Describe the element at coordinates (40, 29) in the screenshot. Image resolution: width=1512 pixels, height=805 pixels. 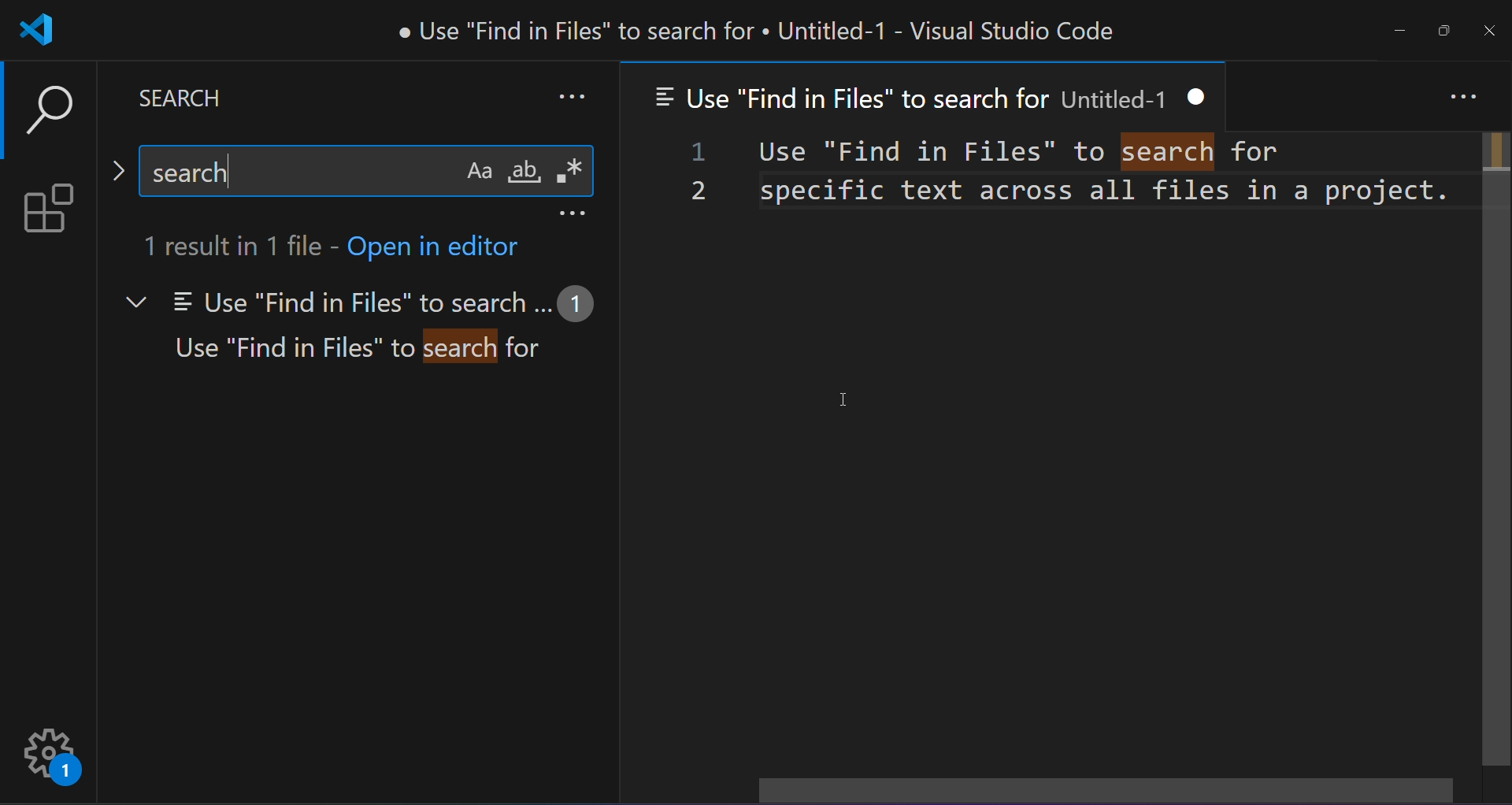
I see `logo` at that location.